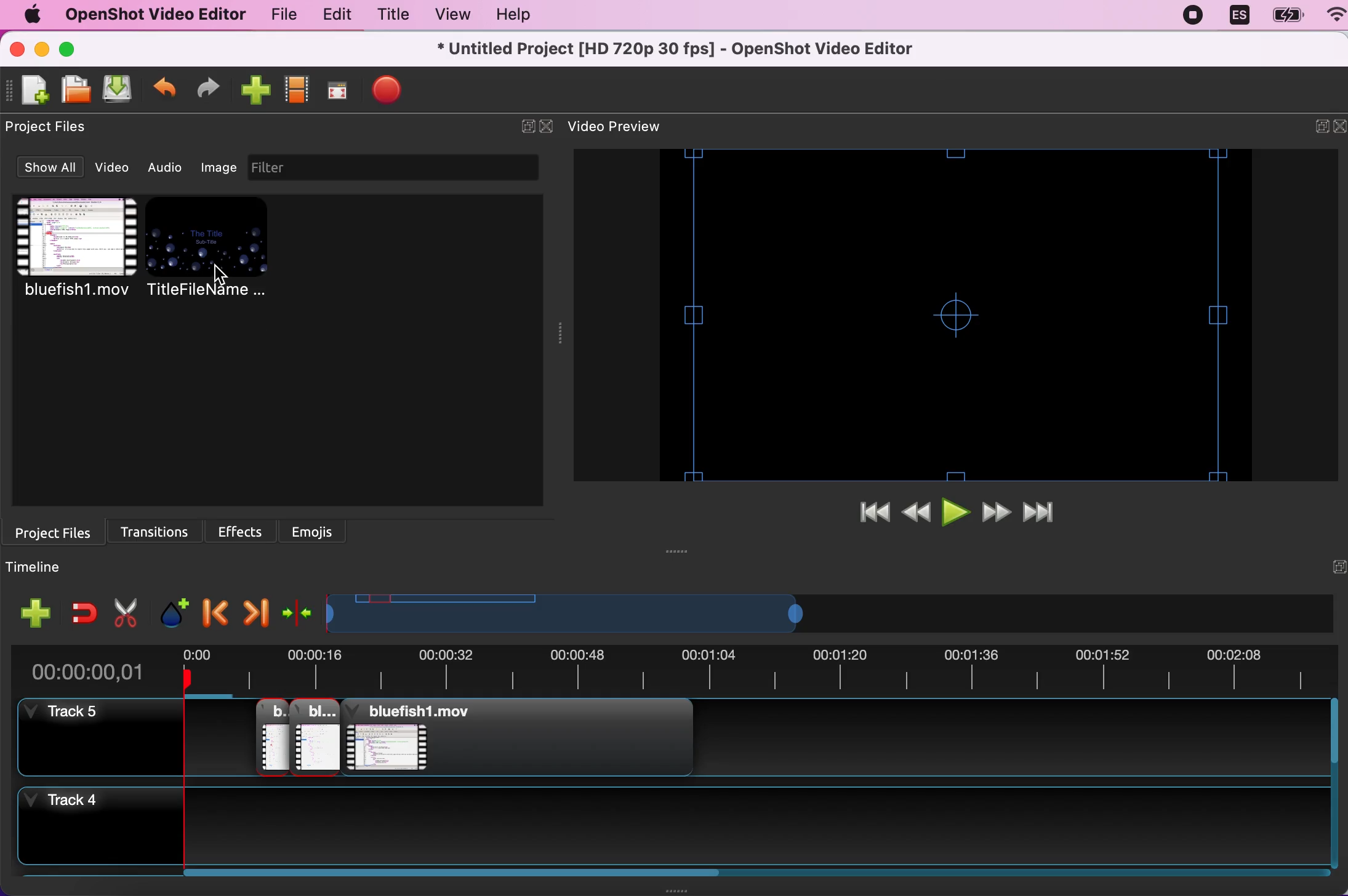  I want to click on emojis, so click(315, 530).